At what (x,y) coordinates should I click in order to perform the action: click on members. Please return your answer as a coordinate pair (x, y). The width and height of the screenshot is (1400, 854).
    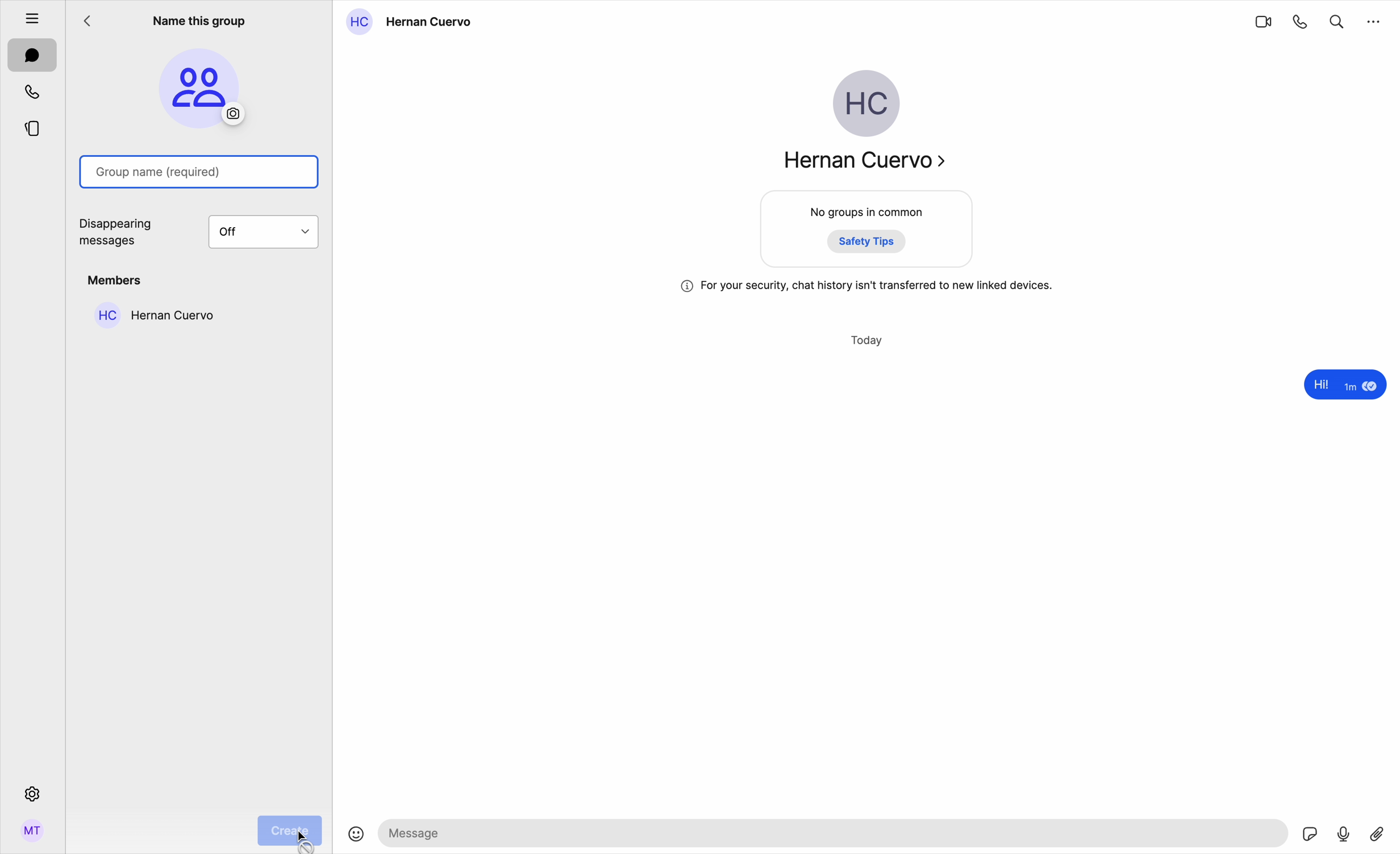
    Looking at the image, I should click on (117, 280).